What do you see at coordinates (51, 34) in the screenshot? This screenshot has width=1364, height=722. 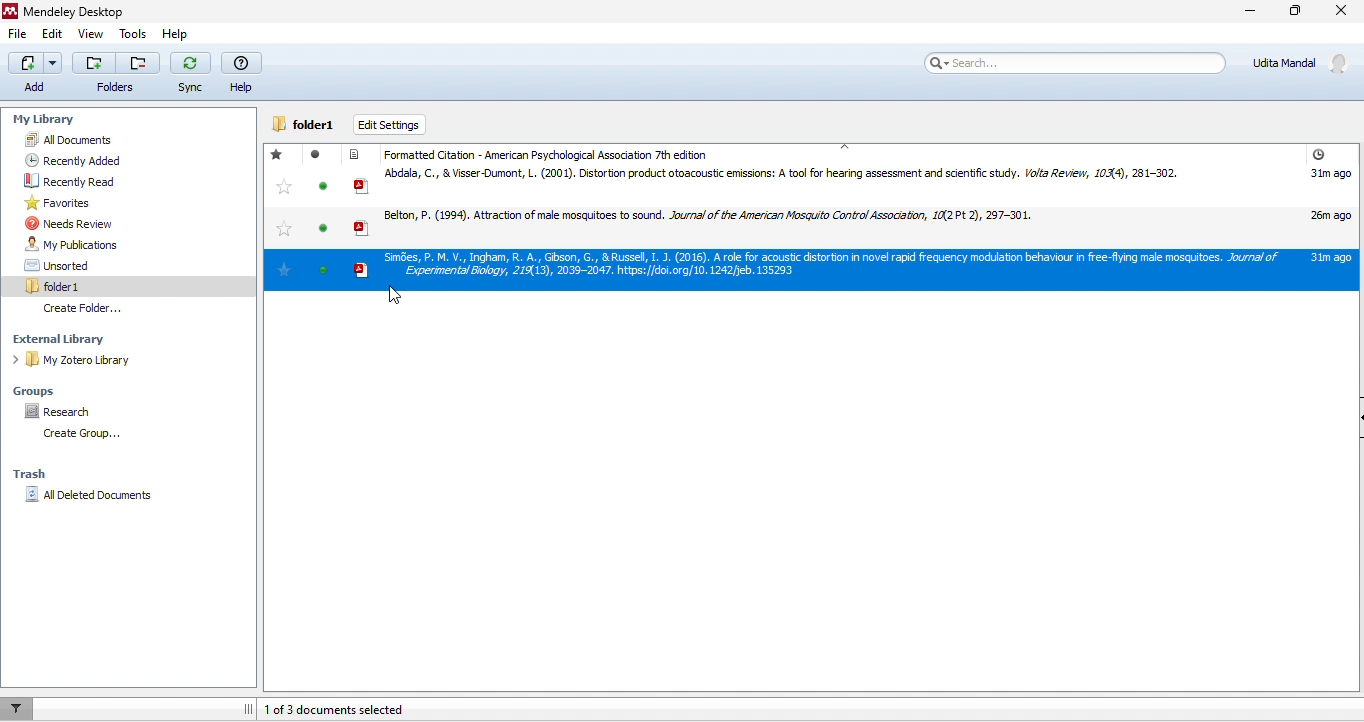 I see `edit` at bounding box center [51, 34].